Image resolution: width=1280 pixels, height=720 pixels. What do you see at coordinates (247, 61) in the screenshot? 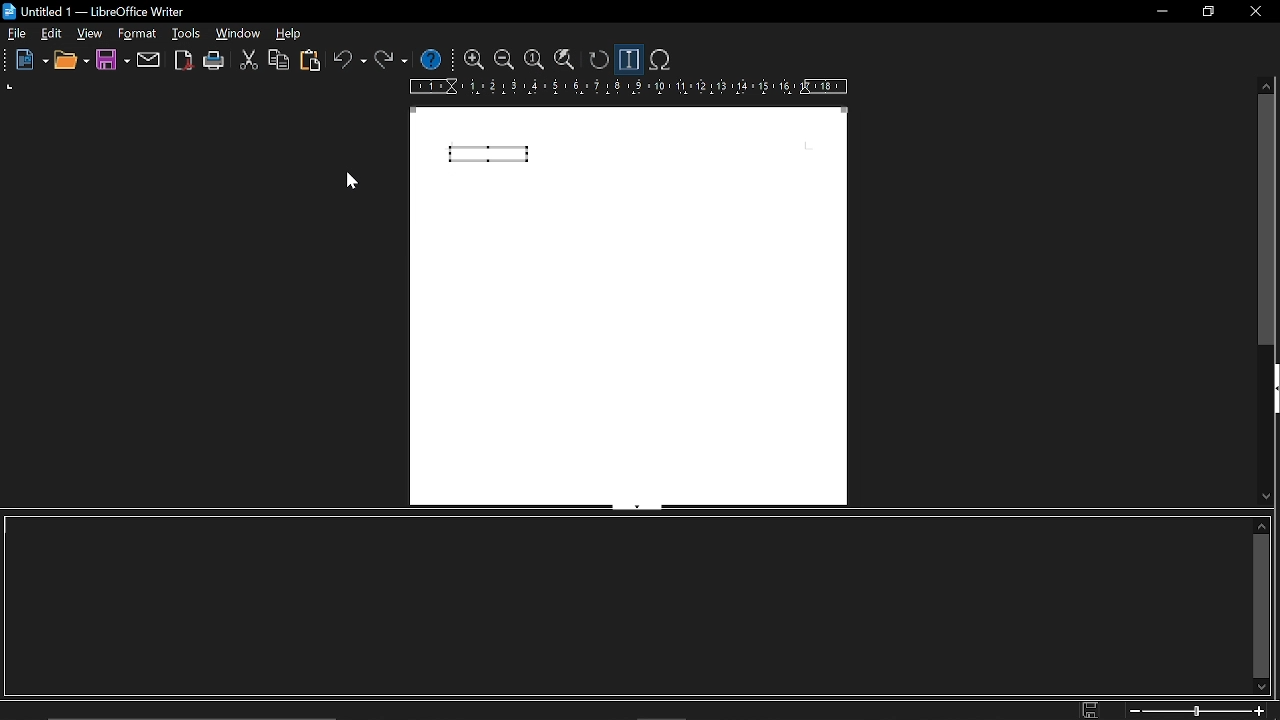
I see `cut ` at bounding box center [247, 61].